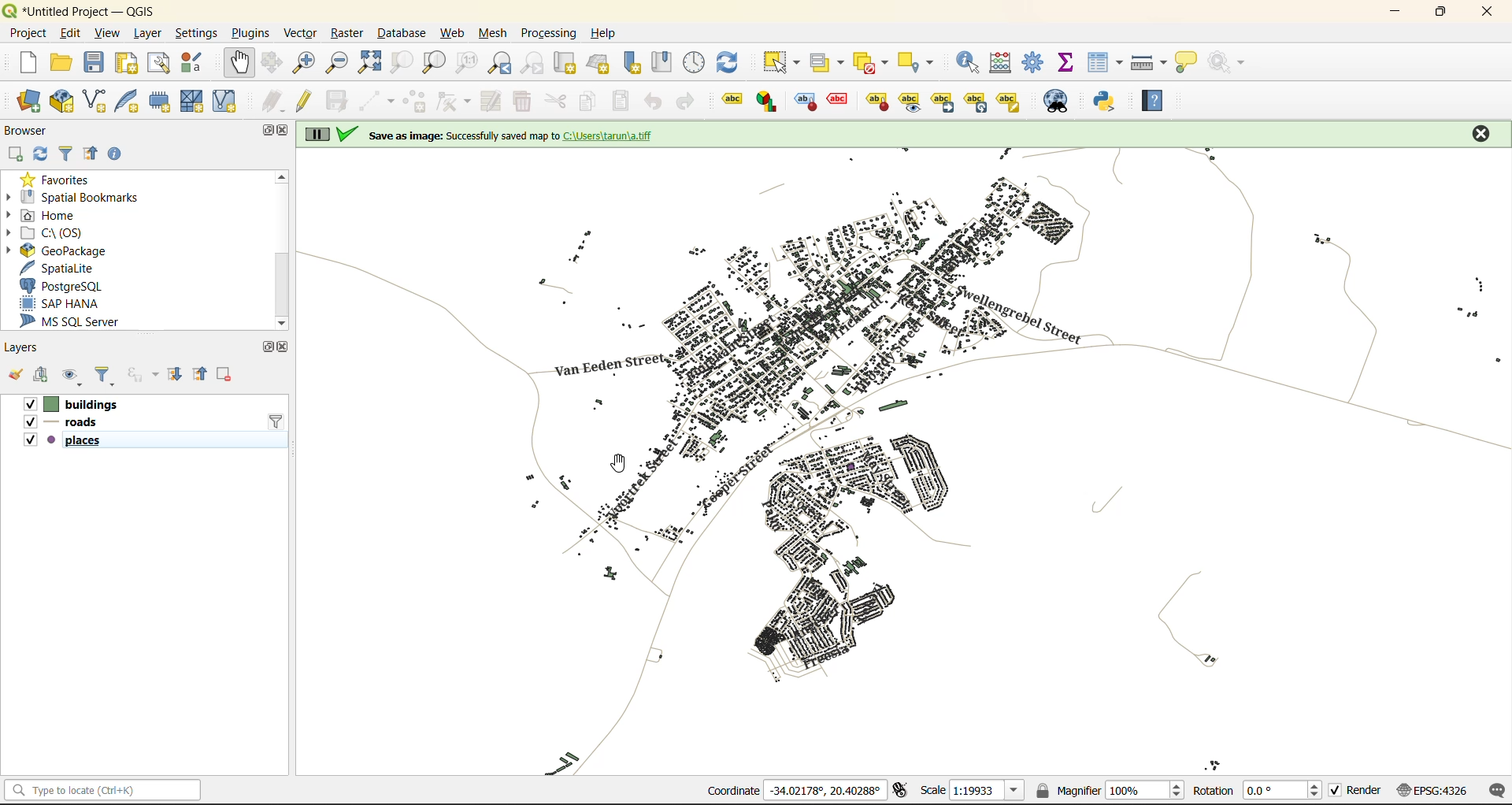 This screenshot has height=805, width=1512. What do you see at coordinates (11, 376) in the screenshot?
I see `open` at bounding box center [11, 376].